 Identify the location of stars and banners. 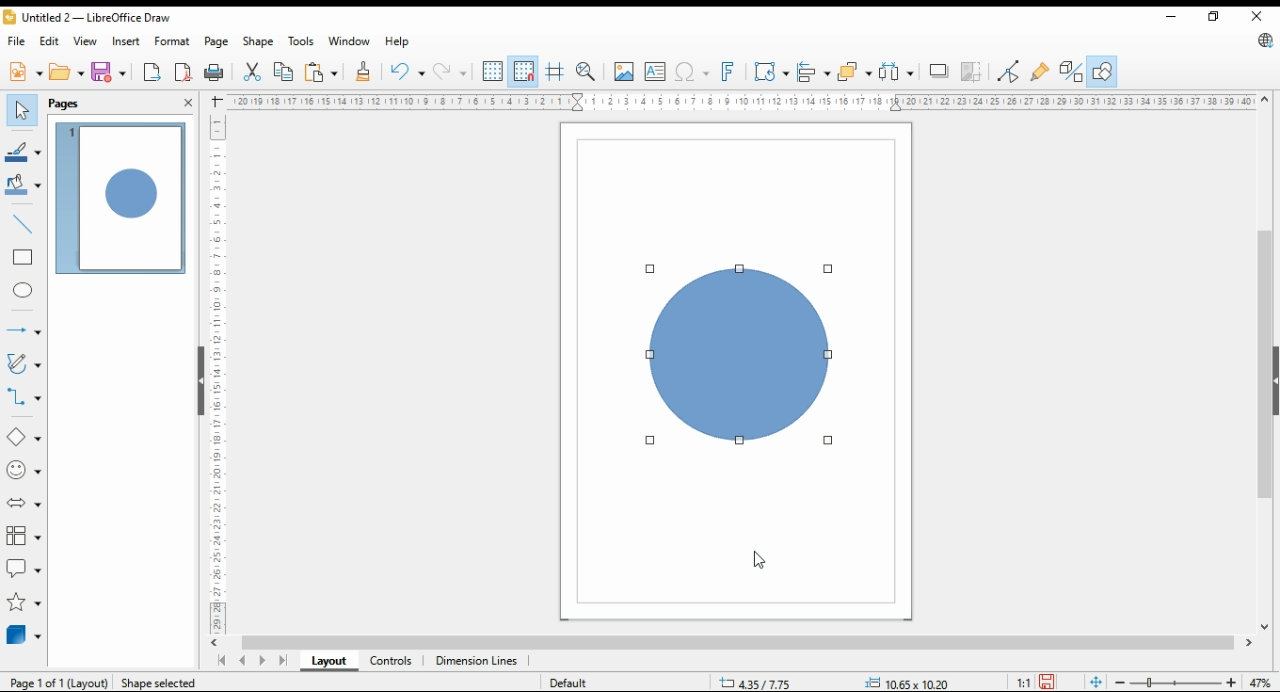
(23, 601).